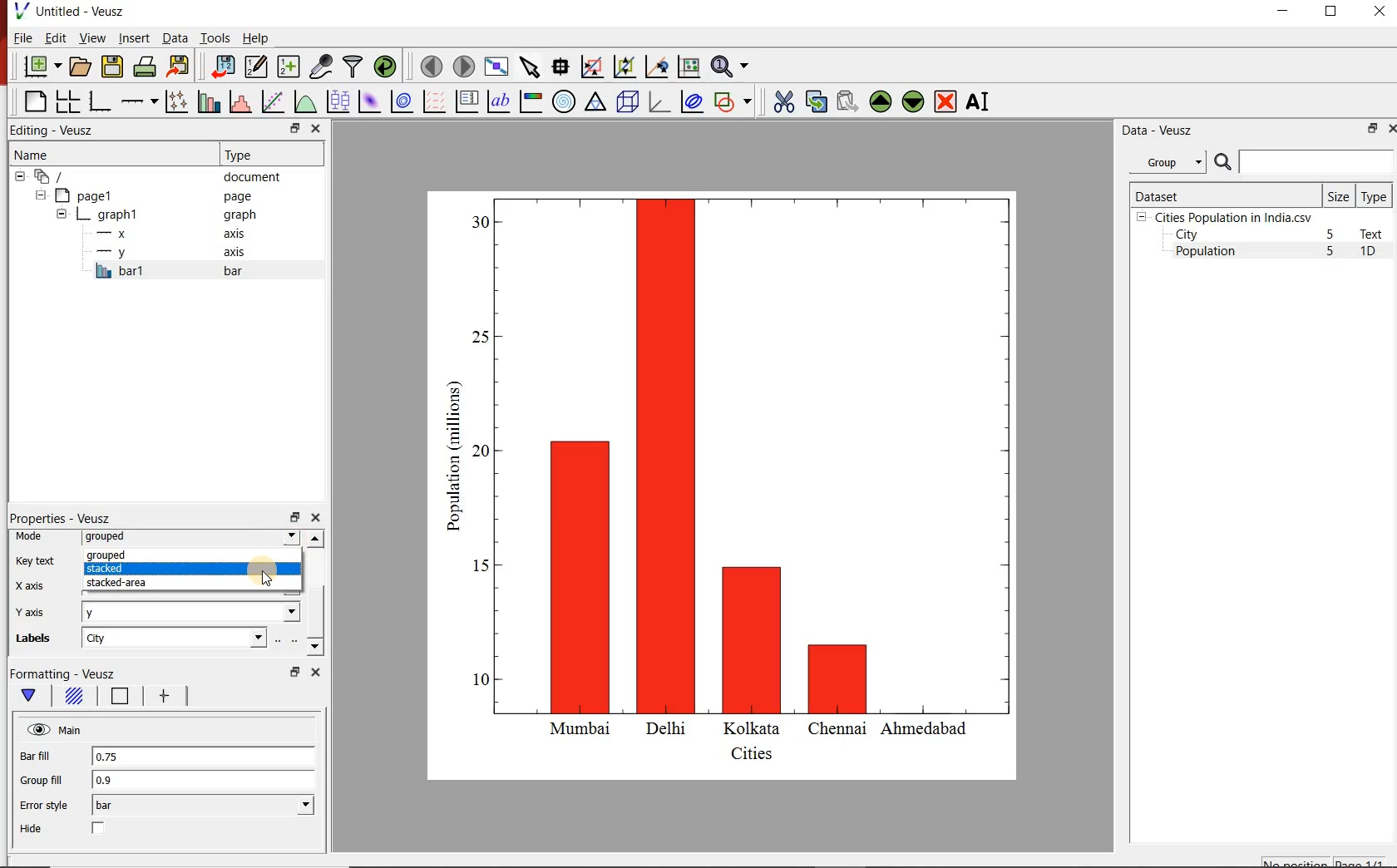 The image size is (1397, 868). What do you see at coordinates (315, 518) in the screenshot?
I see `close` at bounding box center [315, 518].